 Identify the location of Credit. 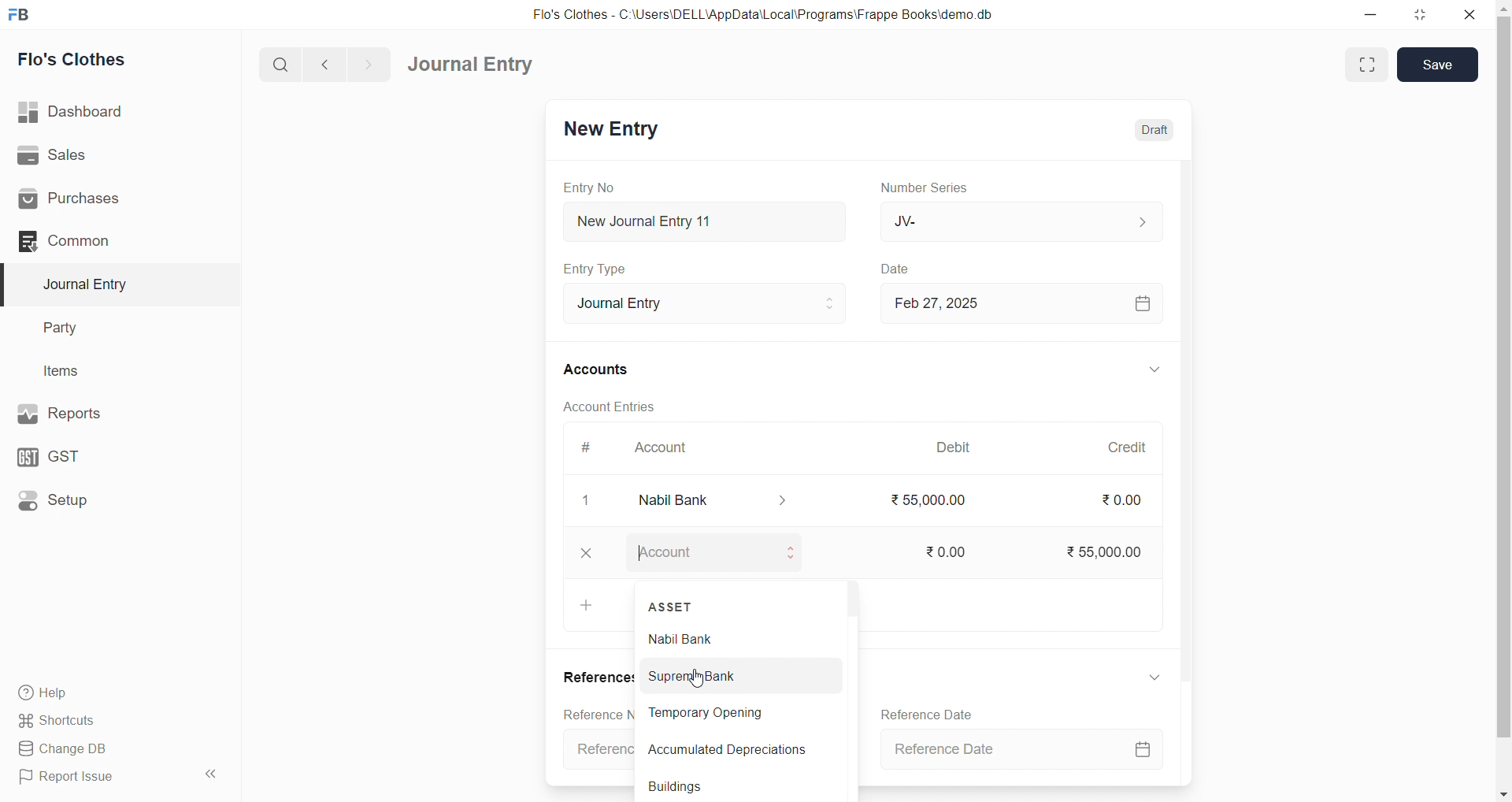
(1137, 448).